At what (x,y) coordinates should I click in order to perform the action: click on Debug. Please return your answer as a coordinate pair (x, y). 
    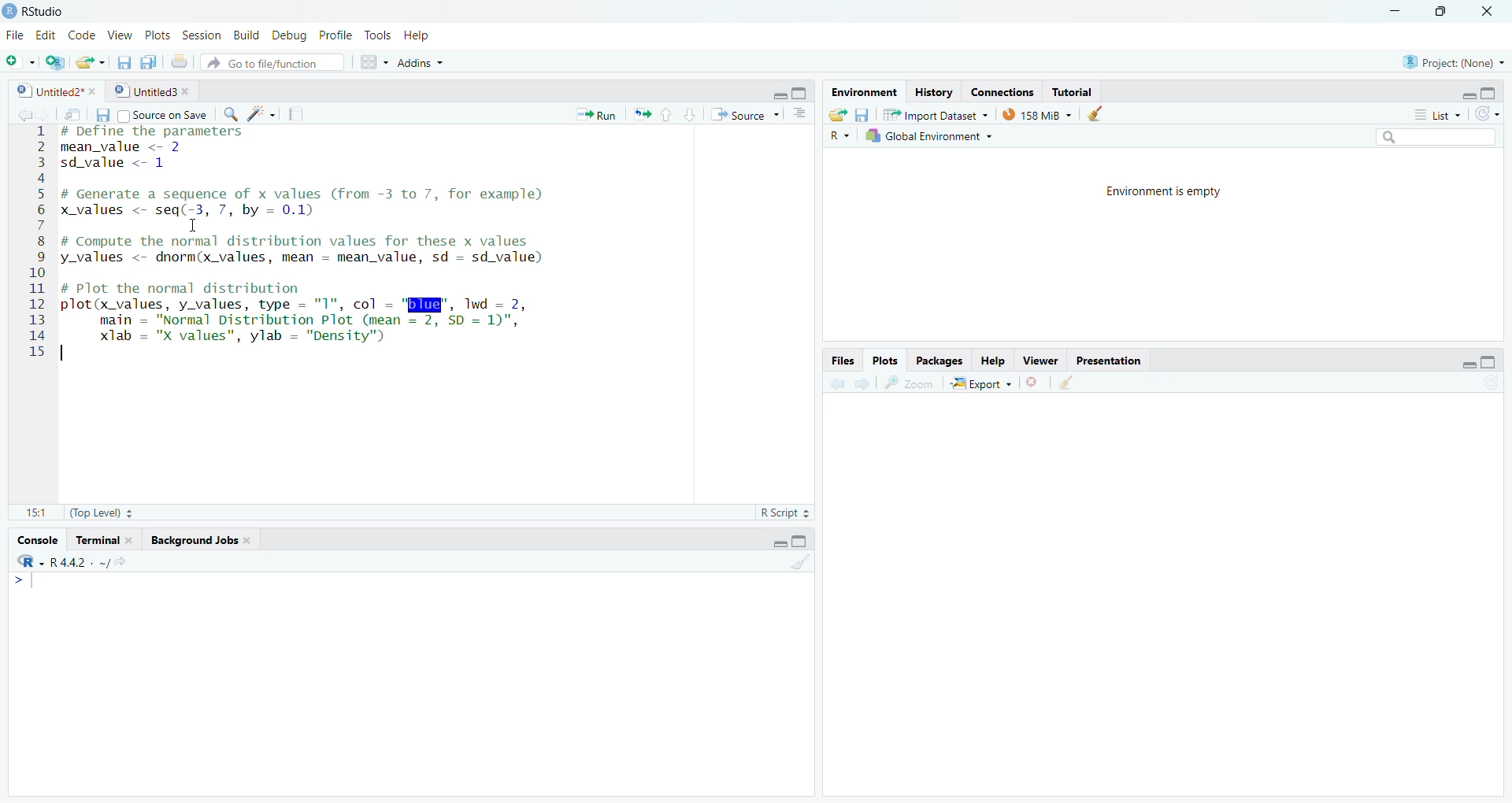
    Looking at the image, I should click on (286, 35).